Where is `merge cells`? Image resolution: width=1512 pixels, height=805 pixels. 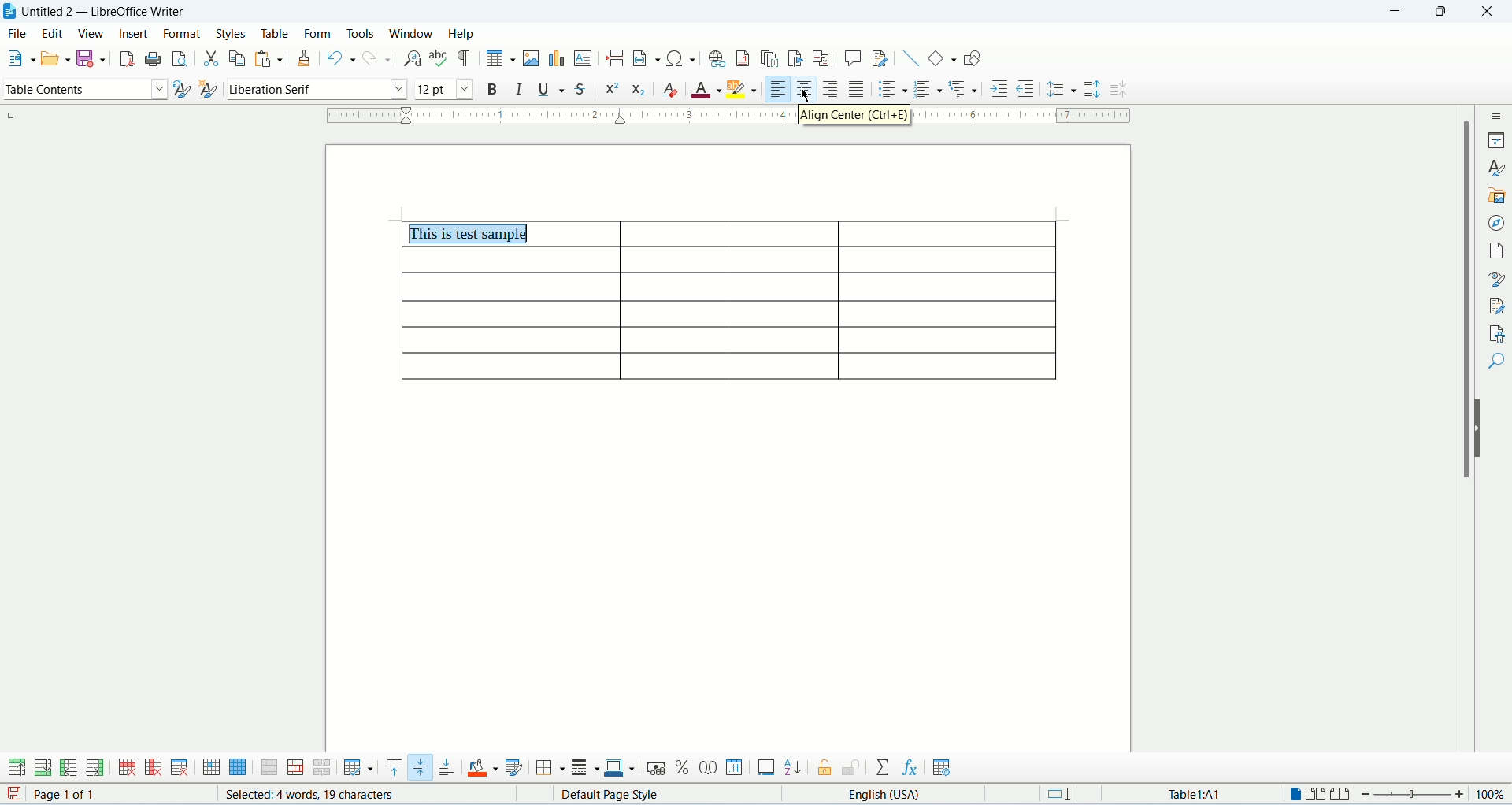 merge cells is located at coordinates (270, 769).